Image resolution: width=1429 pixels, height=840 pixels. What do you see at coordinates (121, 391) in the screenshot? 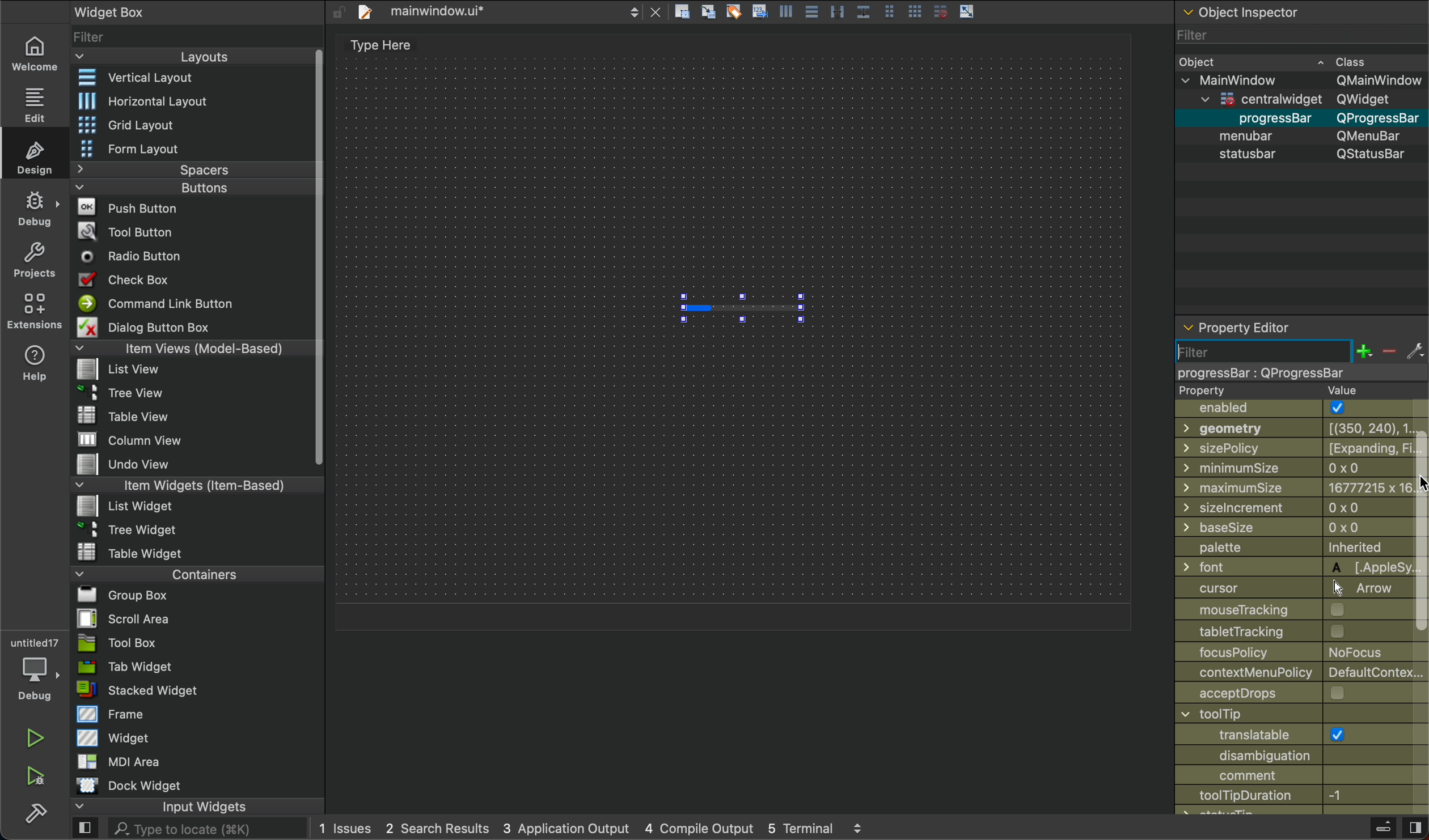
I see `File` at bounding box center [121, 391].